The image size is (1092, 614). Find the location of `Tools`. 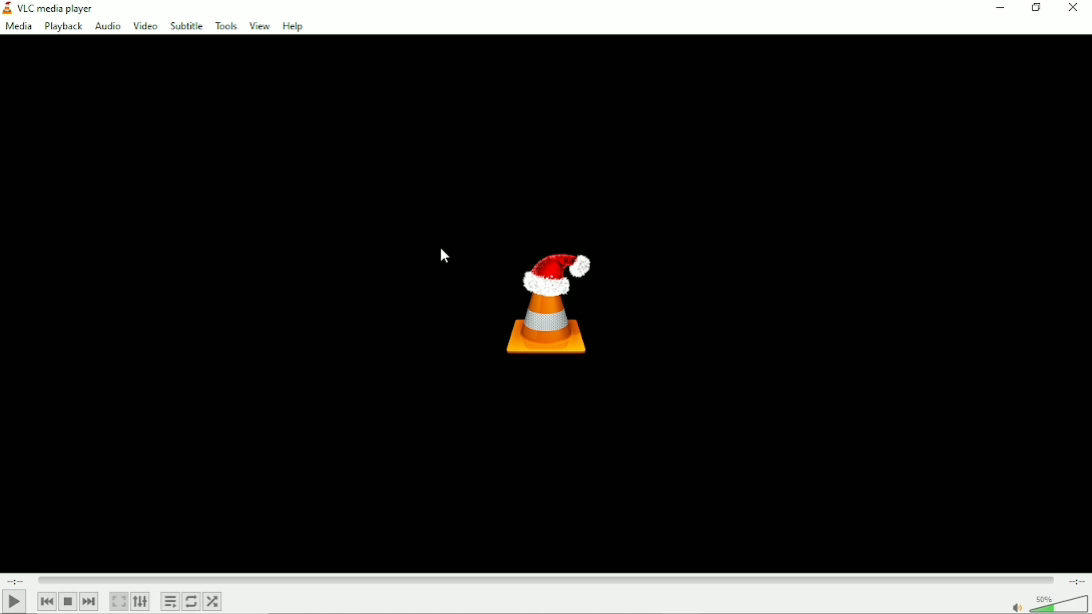

Tools is located at coordinates (226, 23).